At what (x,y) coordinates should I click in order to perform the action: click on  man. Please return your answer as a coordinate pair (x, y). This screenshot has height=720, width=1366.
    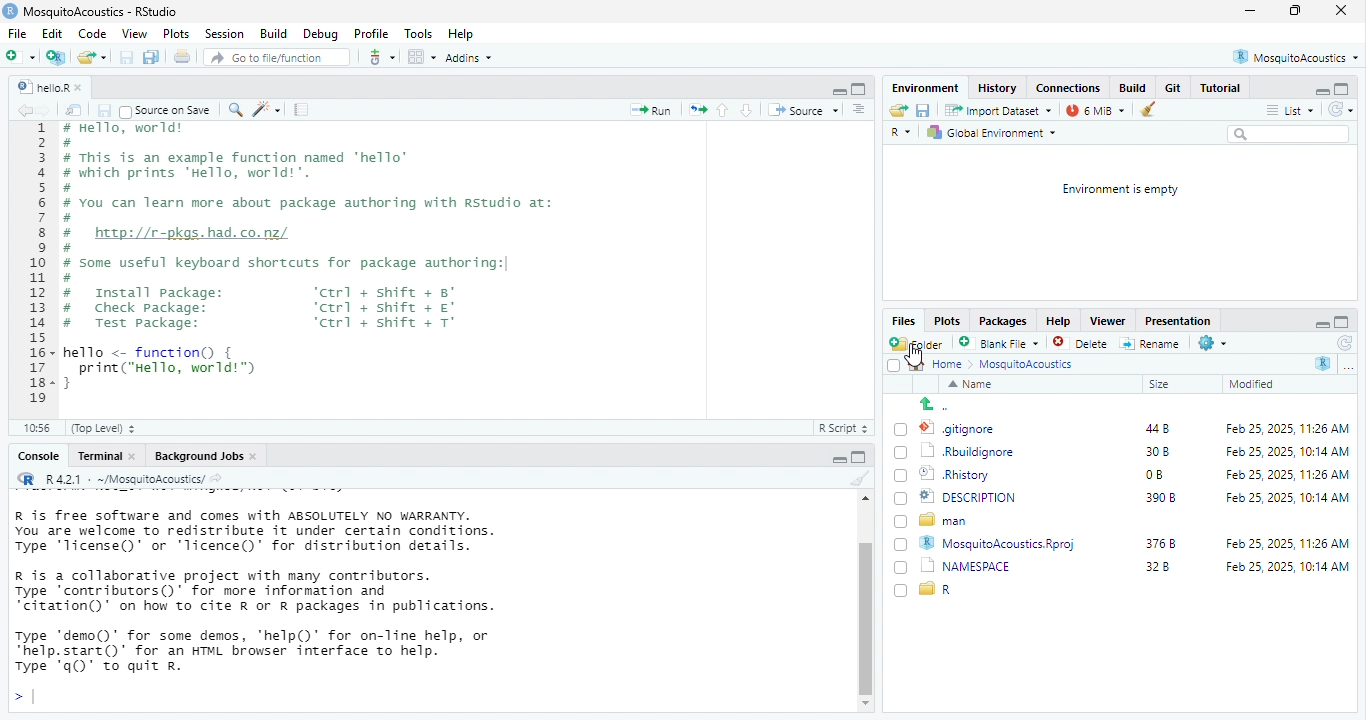
    Looking at the image, I should click on (950, 521).